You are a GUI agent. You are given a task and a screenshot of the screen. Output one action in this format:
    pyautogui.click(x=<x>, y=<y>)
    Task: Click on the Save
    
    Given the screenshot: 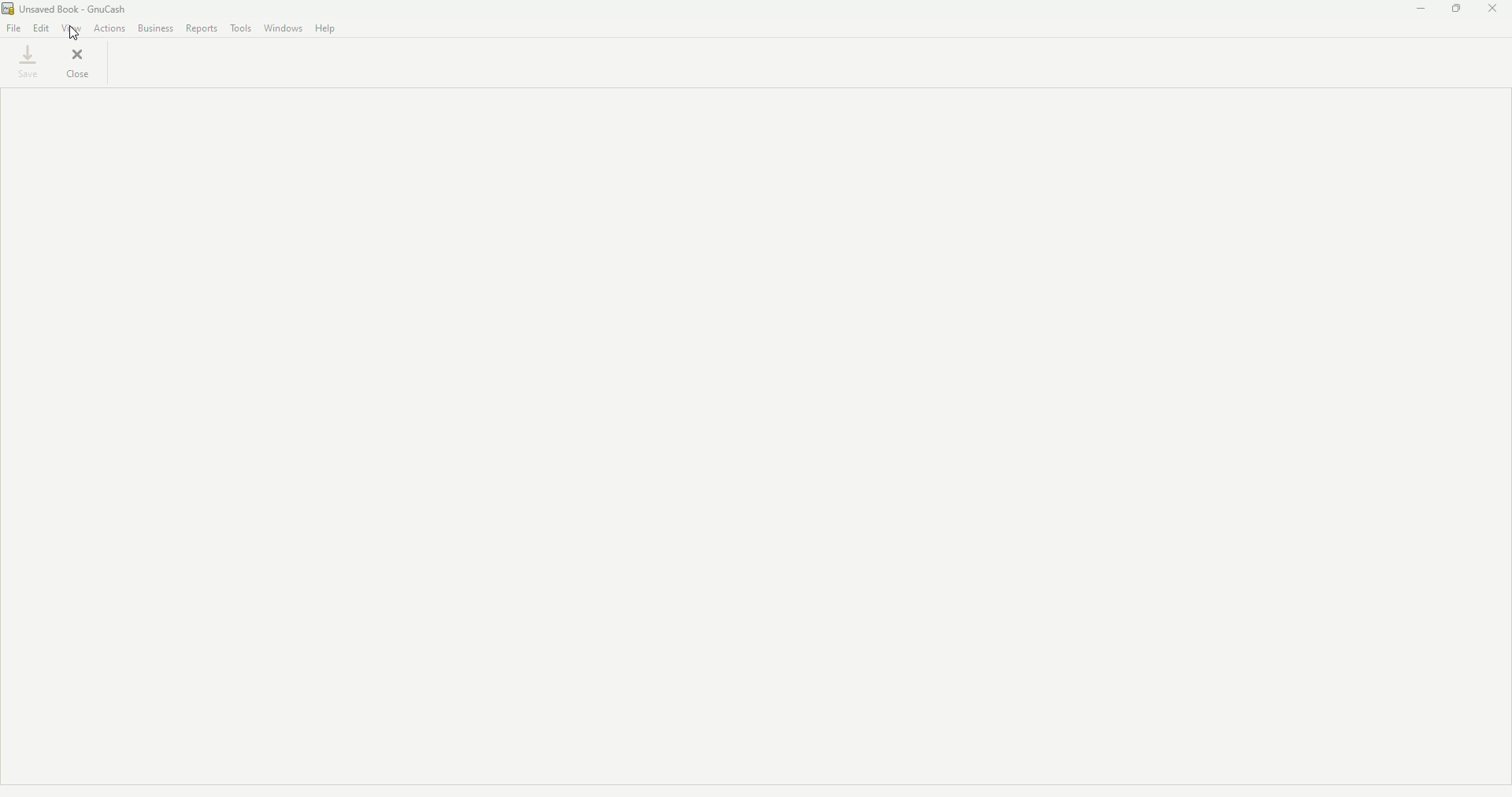 What is the action you would take?
    pyautogui.click(x=28, y=61)
    